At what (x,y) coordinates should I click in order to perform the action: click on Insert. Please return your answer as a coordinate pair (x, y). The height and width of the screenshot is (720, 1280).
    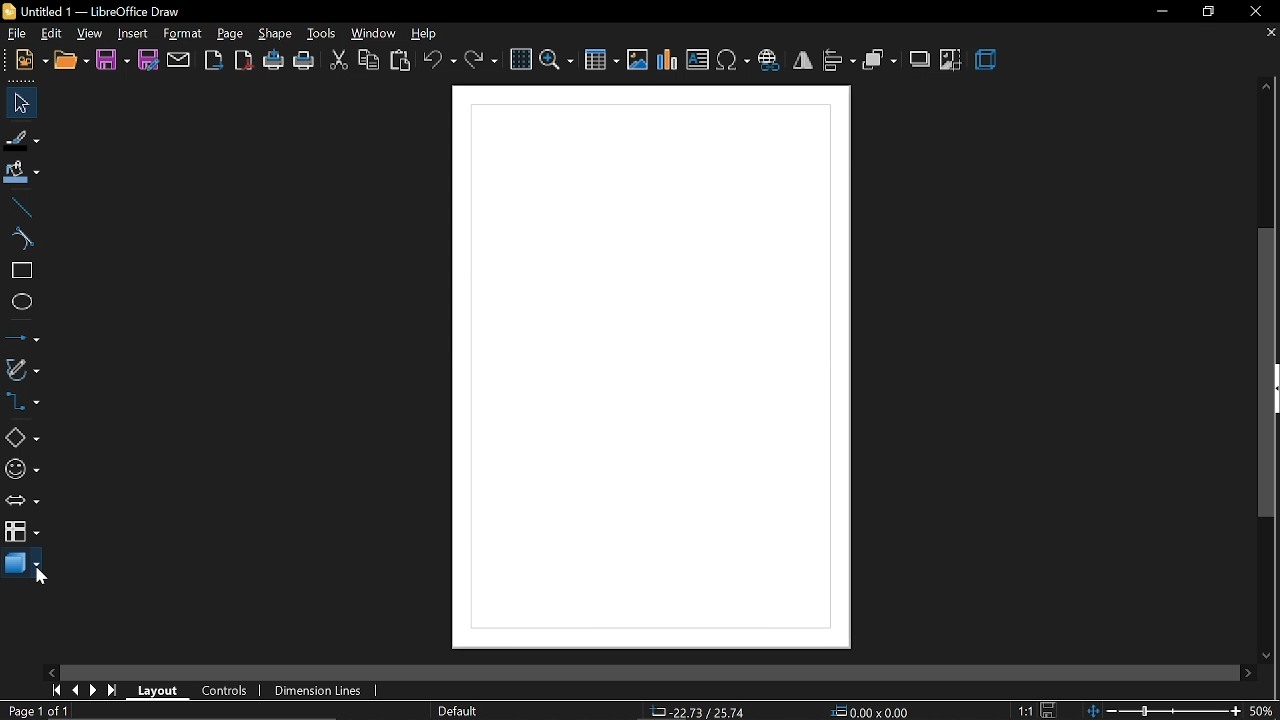
    Looking at the image, I should click on (133, 34).